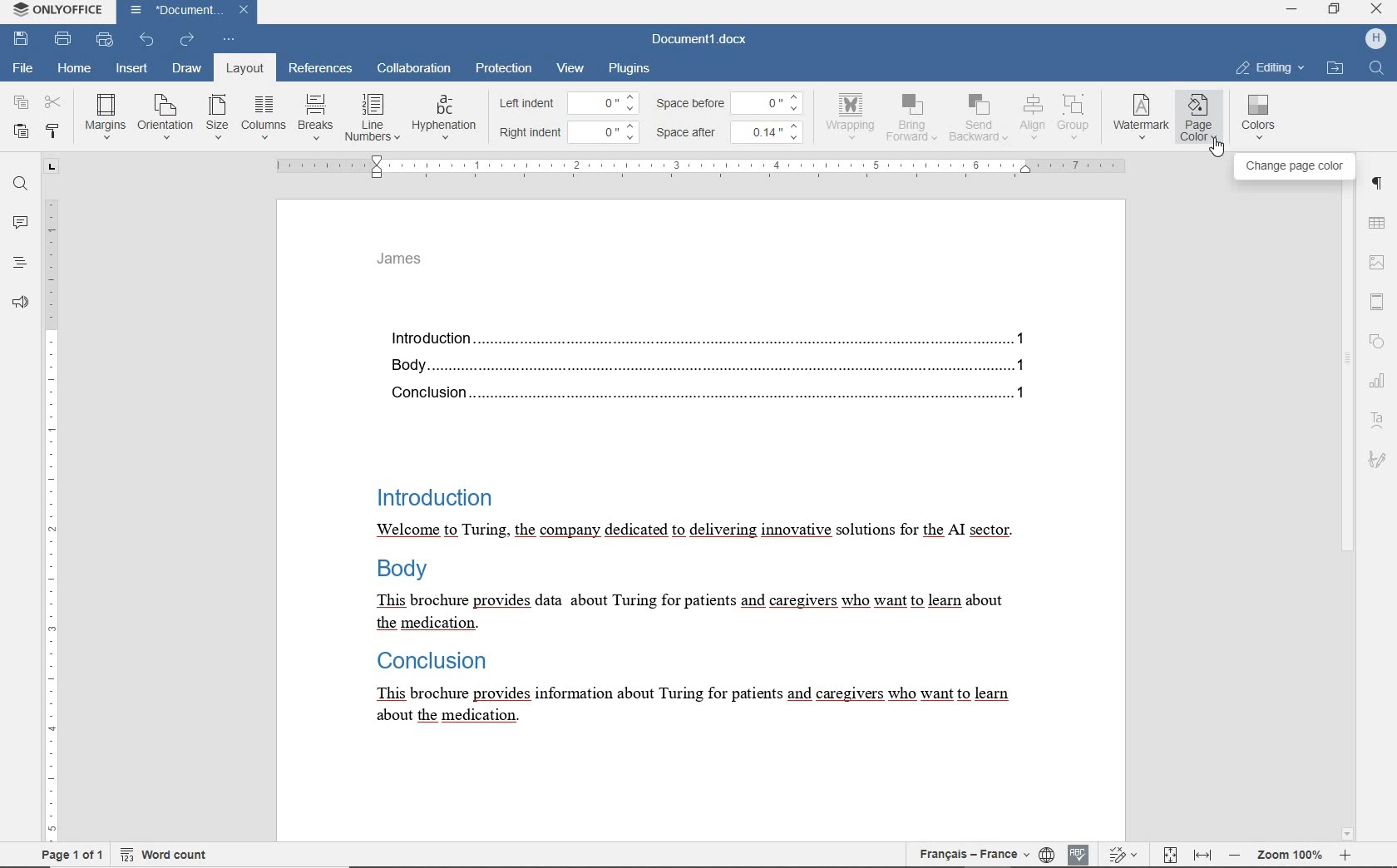  I want to click on 0, so click(768, 104).